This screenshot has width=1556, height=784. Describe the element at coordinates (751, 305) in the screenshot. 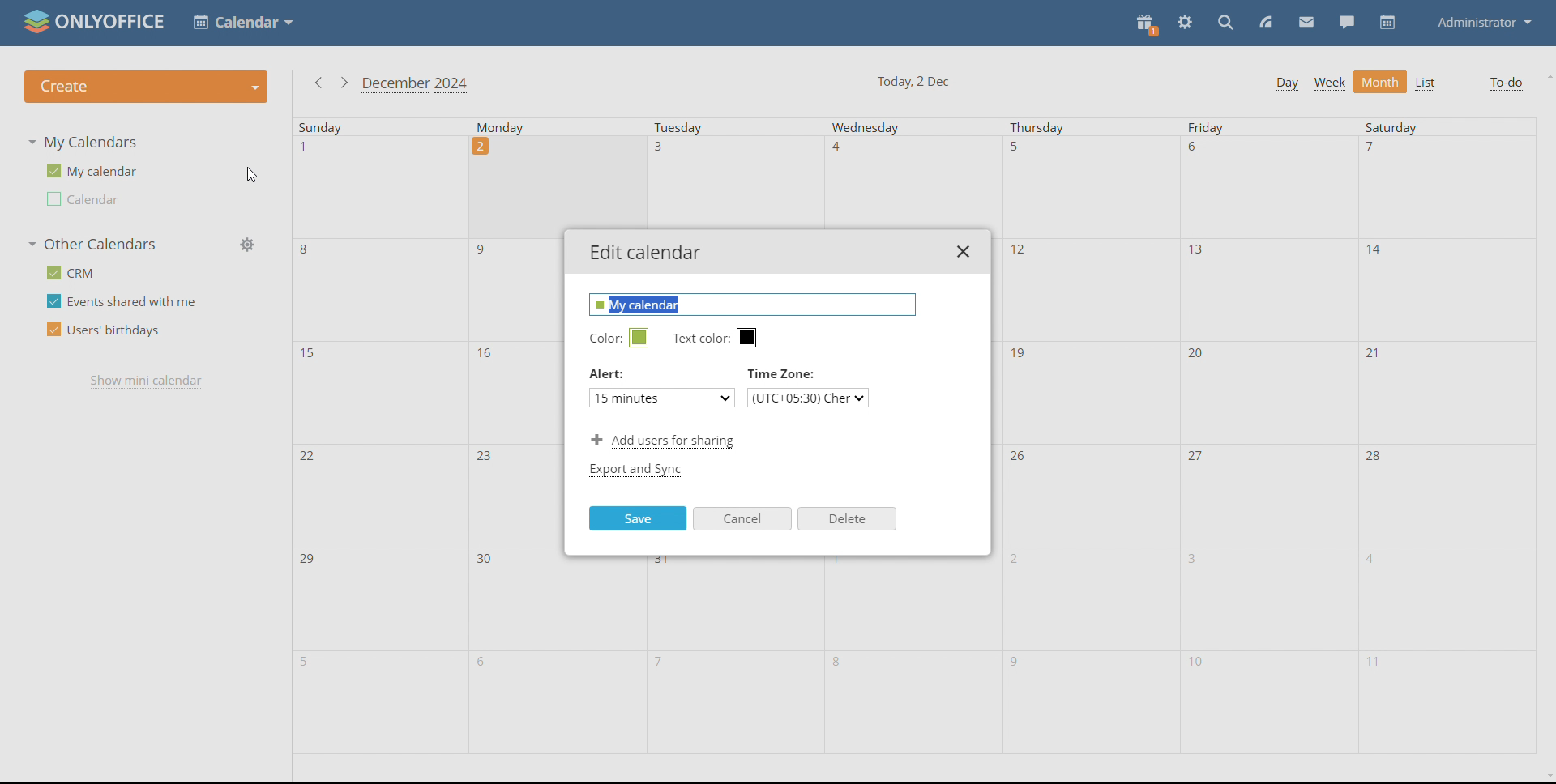

I see `edit name` at that location.